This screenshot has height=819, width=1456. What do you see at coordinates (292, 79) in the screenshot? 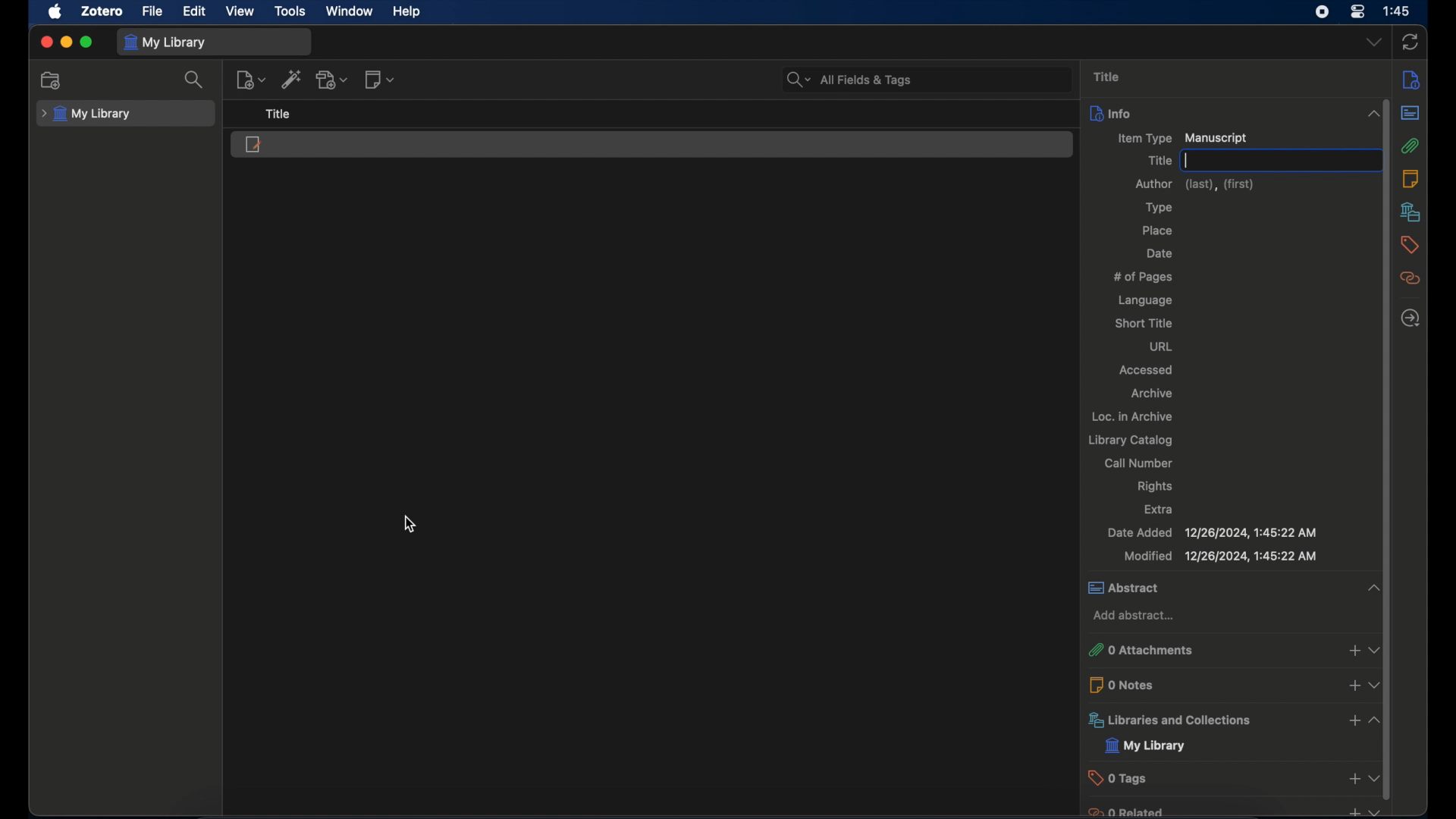
I see `add item by  identifier` at bounding box center [292, 79].